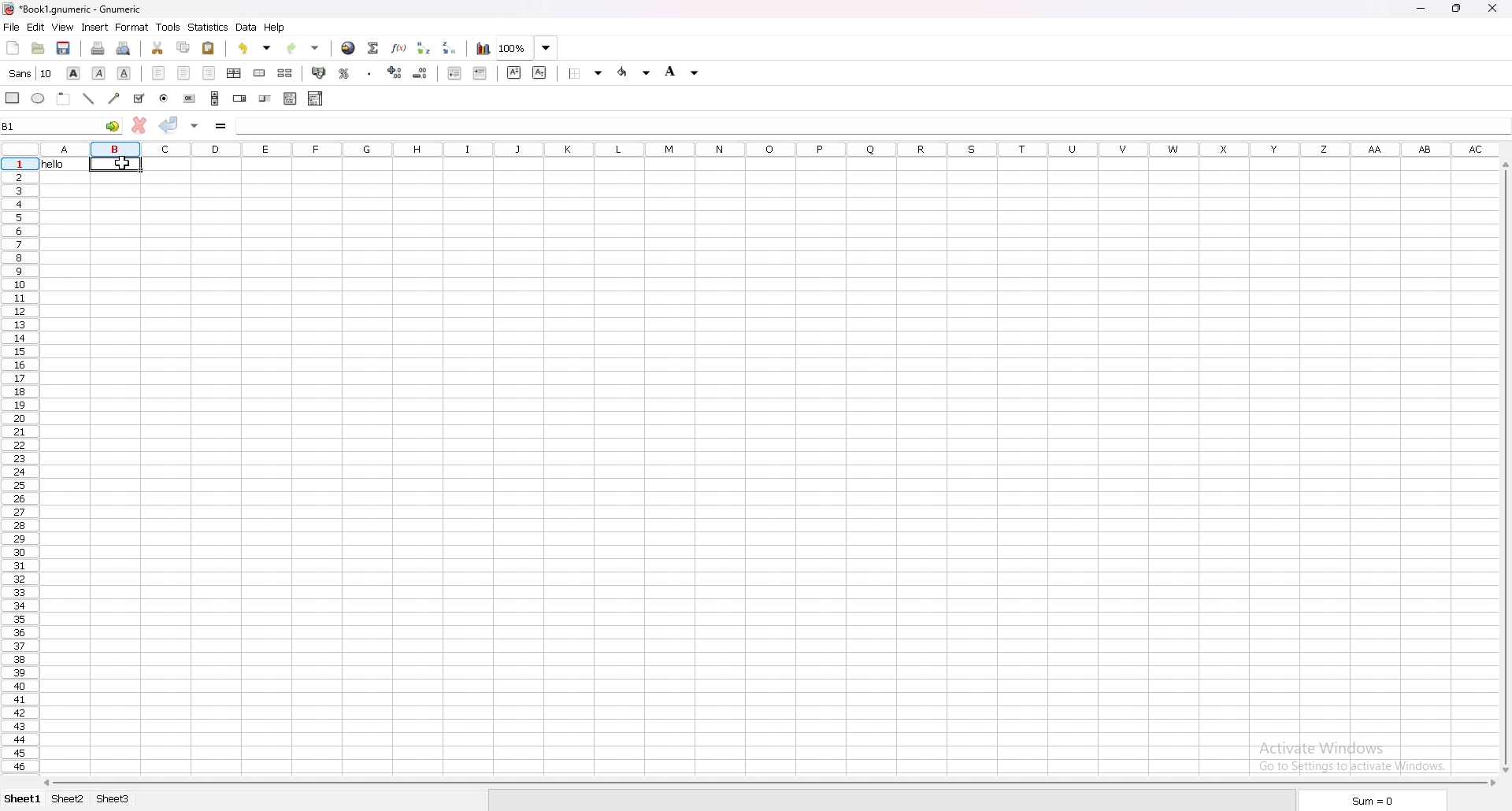 The height and width of the screenshot is (811, 1512). What do you see at coordinates (62, 28) in the screenshot?
I see `view` at bounding box center [62, 28].